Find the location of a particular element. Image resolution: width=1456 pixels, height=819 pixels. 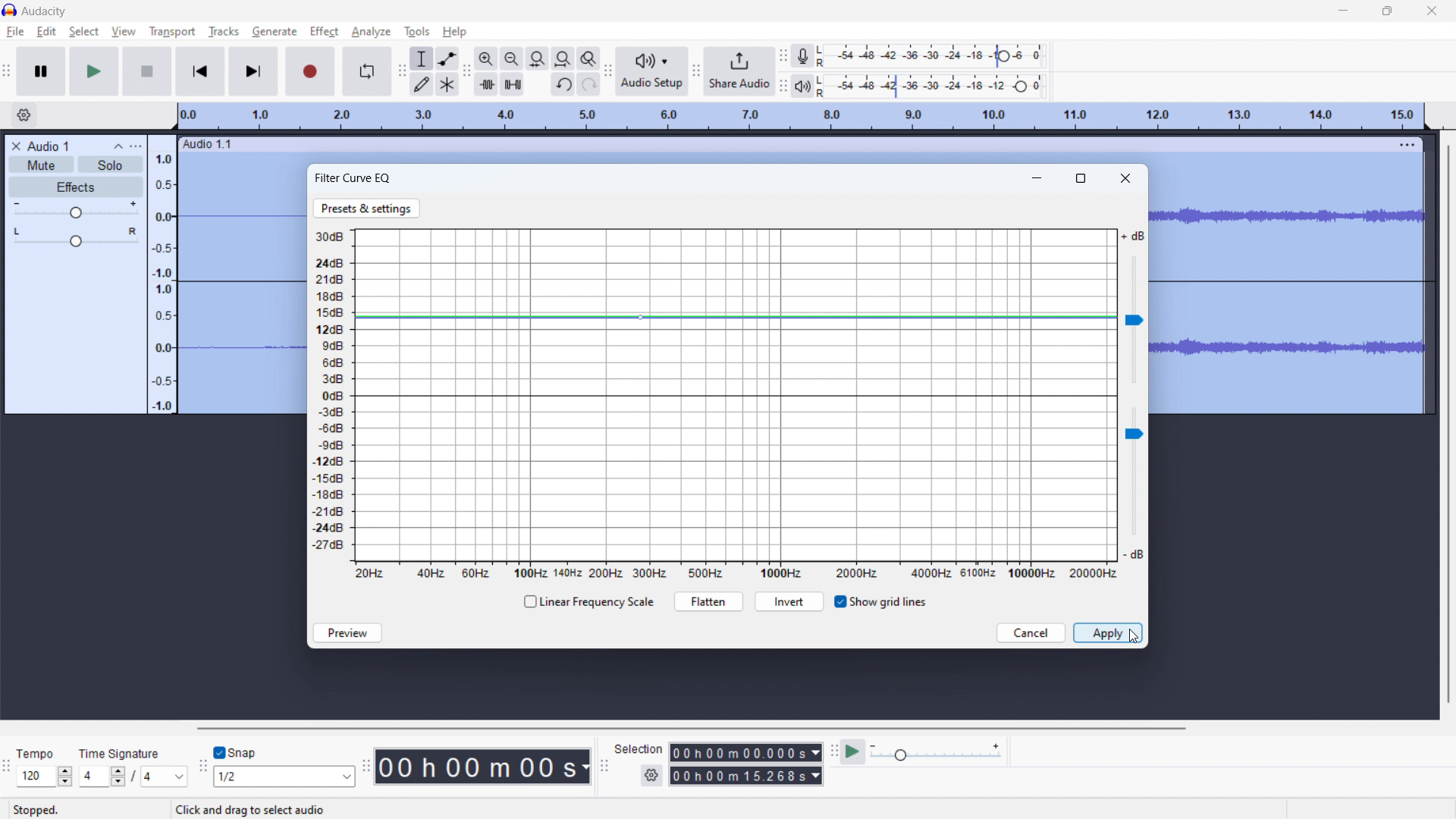

tools toolbar is located at coordinates (400, 71).